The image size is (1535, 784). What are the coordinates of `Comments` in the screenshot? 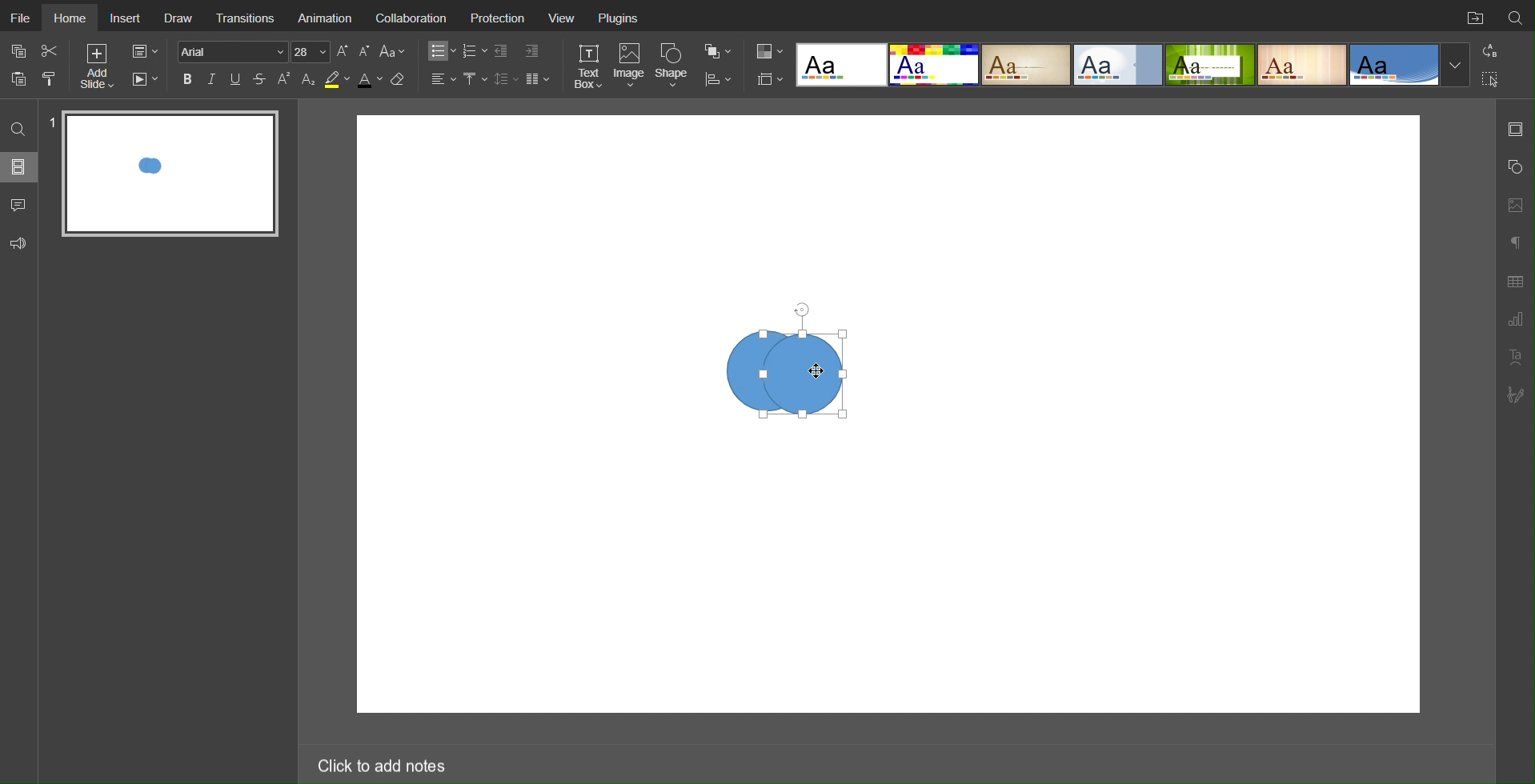 It's located at (20, 205).